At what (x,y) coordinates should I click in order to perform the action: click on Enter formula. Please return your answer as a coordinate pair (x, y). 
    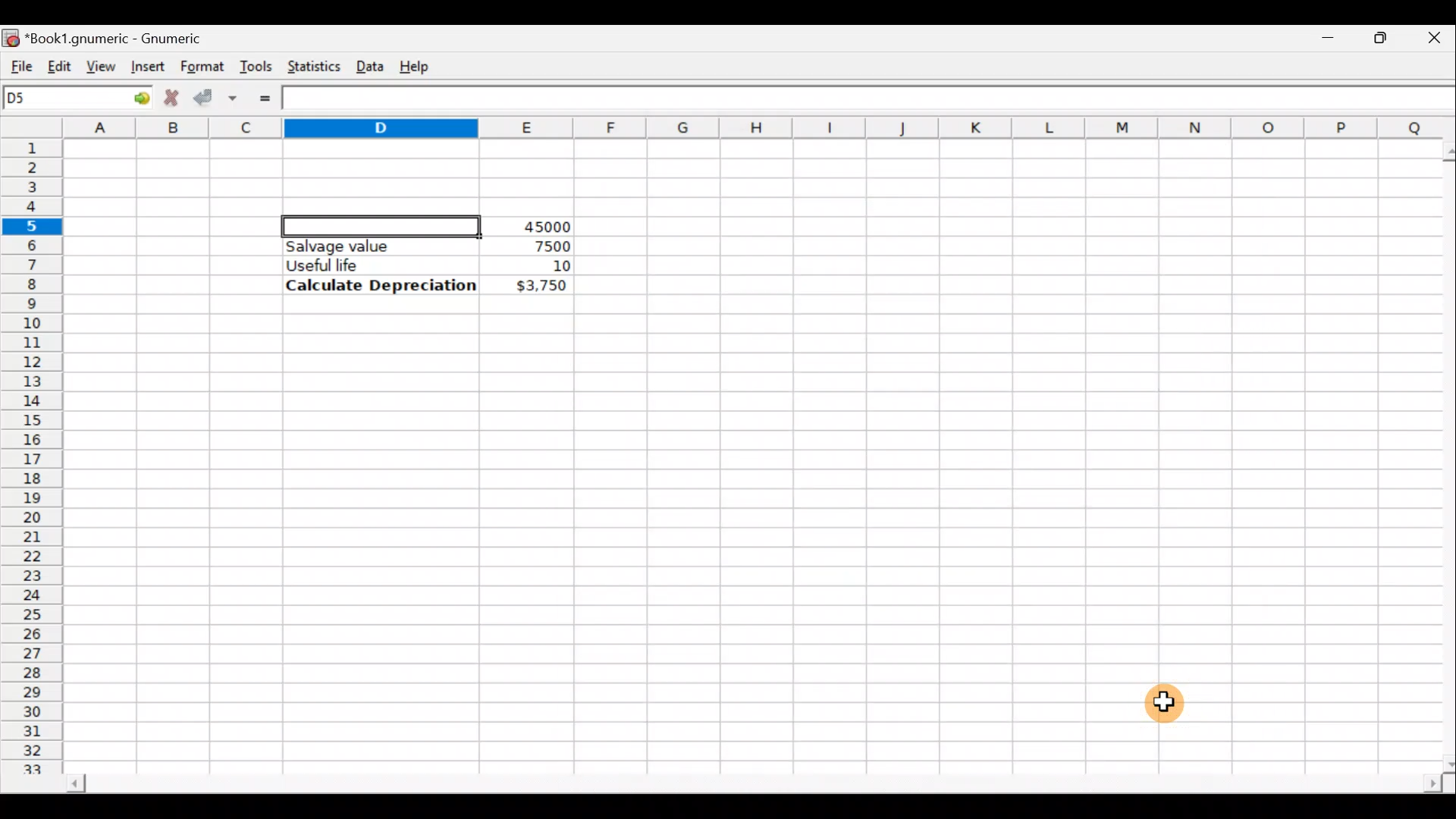
    Looking at the image, I should click on (265, 99).